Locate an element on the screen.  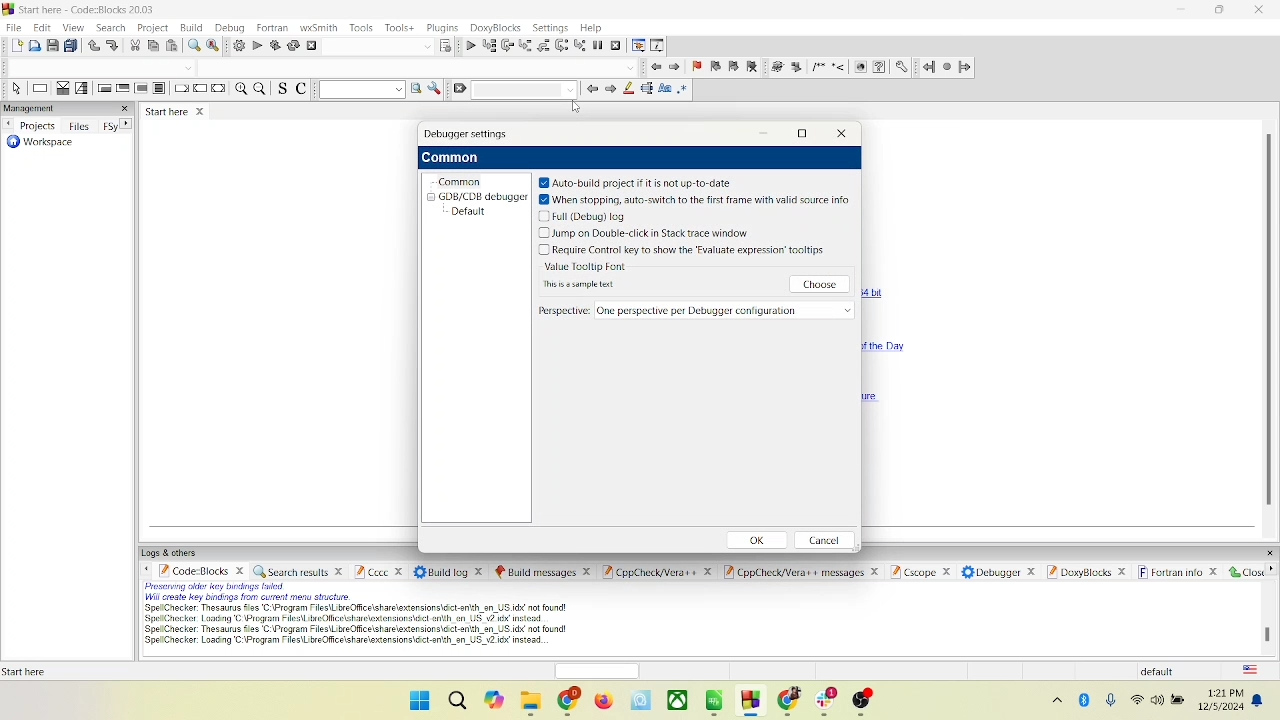
view is located at coordinates (76, 27).